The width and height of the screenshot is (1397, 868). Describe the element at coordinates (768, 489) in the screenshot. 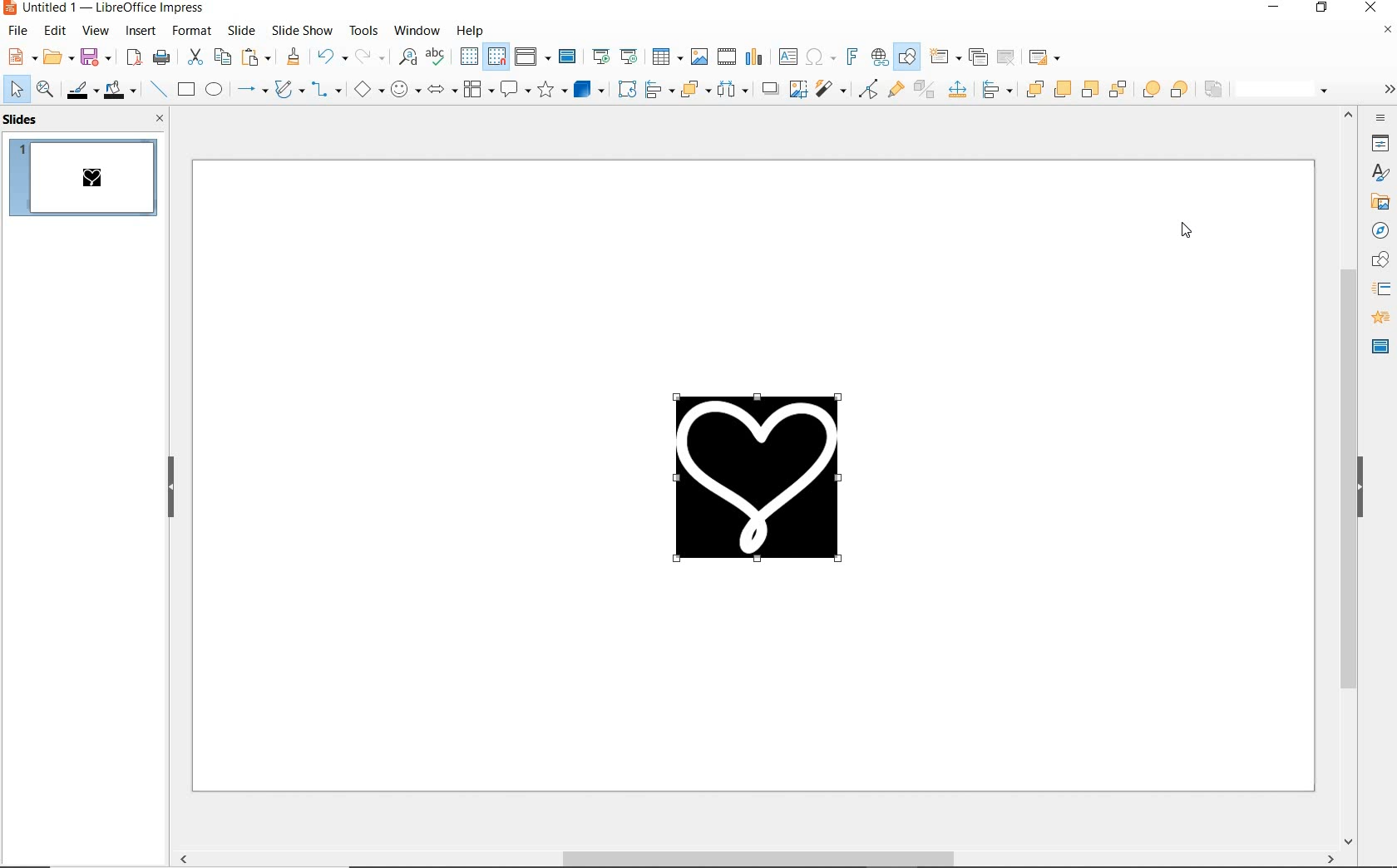

I see `color filter effect added` at that location.